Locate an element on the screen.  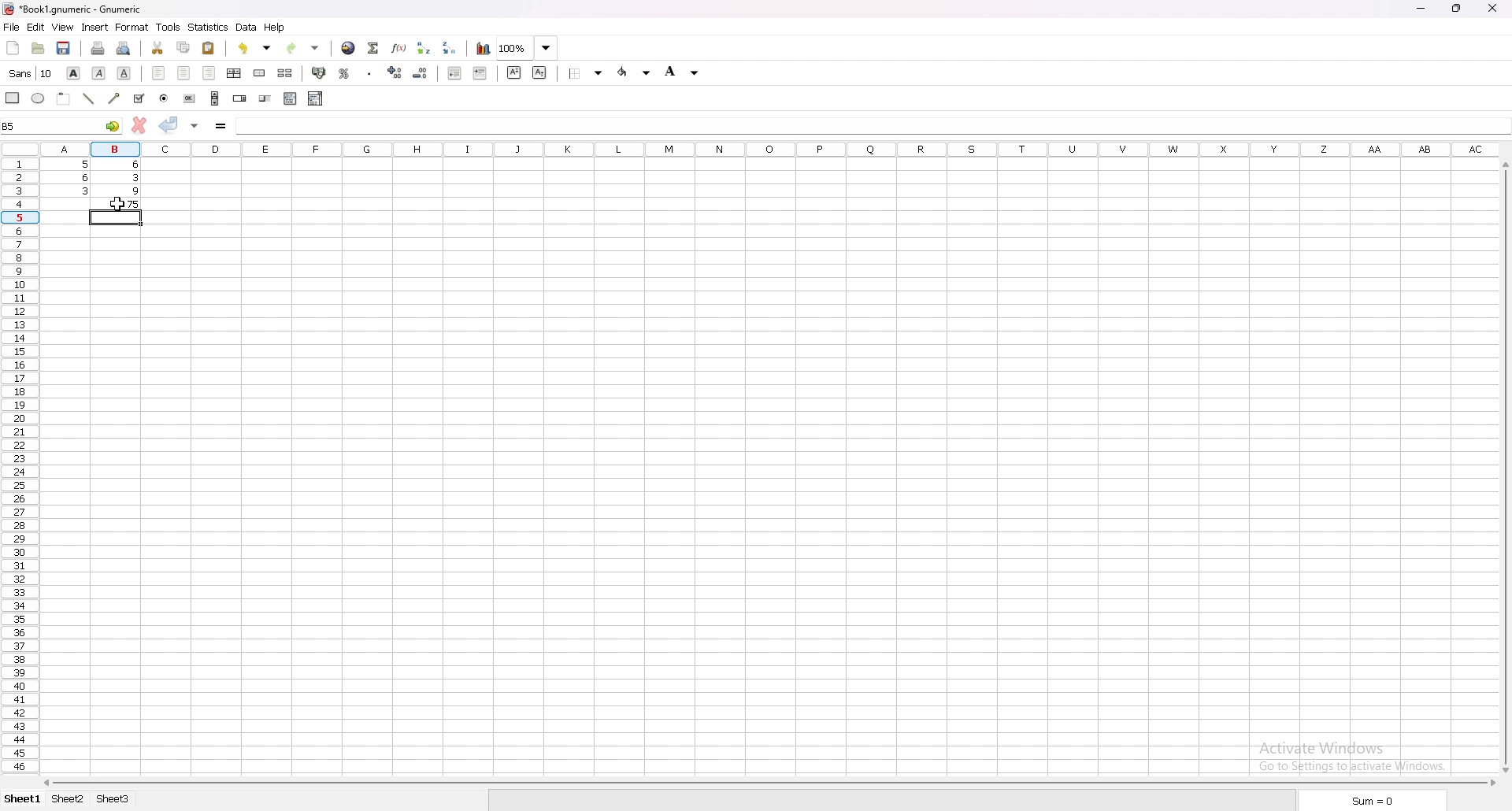
spin button is located at coordinates (239, 98).